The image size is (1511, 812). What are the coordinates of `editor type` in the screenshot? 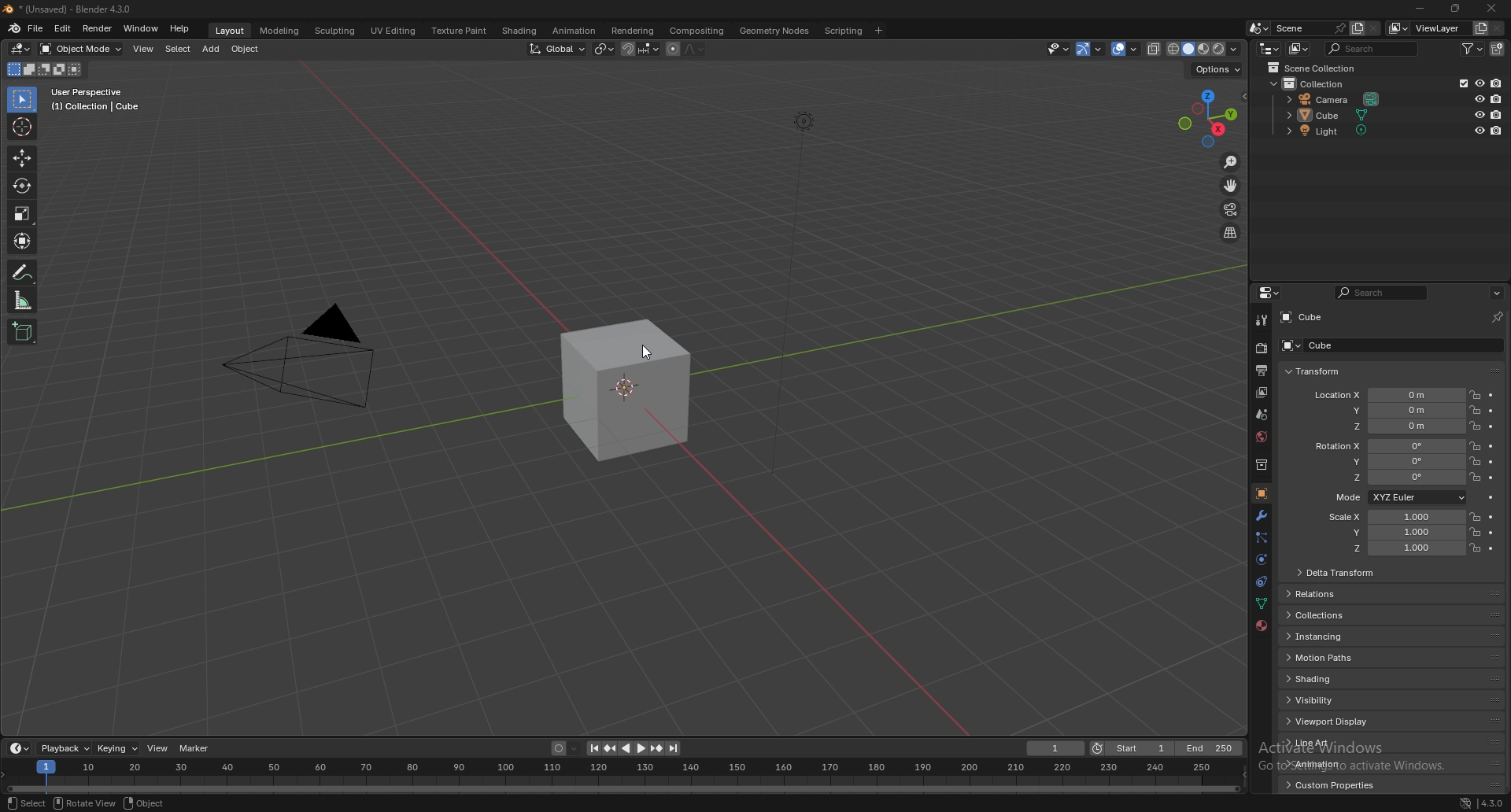 It's located at (21, 50).